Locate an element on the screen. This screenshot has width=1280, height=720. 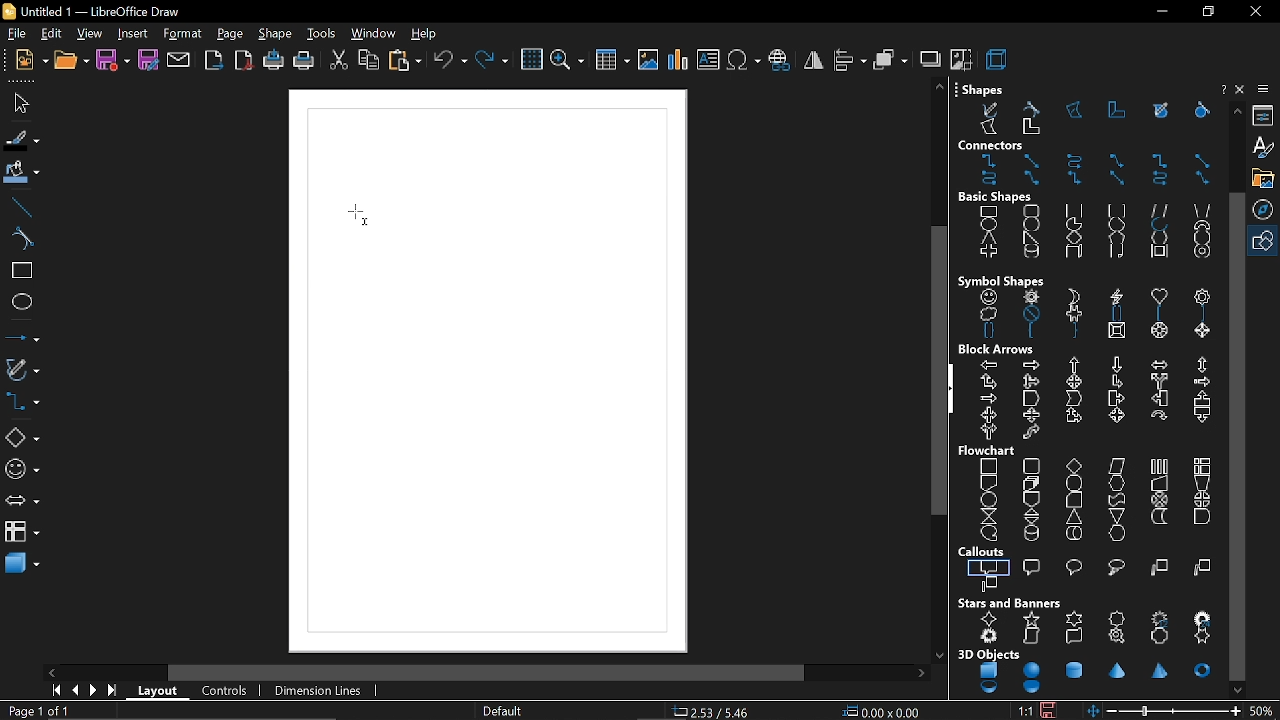
align is located at coordinates (848, 60).